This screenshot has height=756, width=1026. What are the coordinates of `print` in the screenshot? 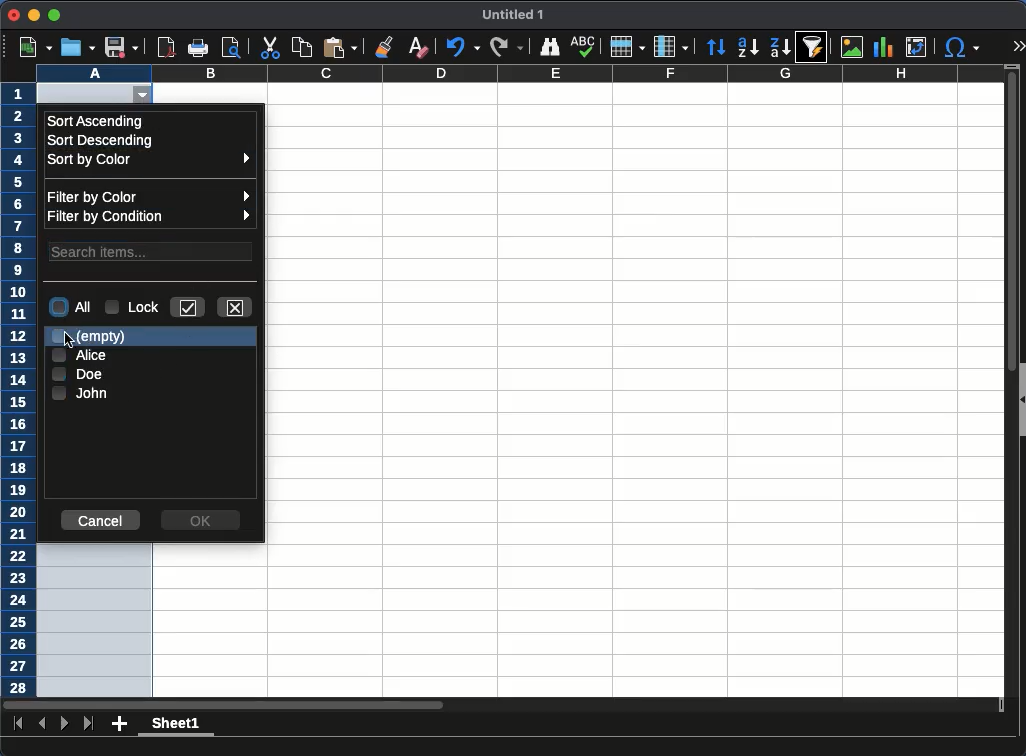 It's located at (198, 48).